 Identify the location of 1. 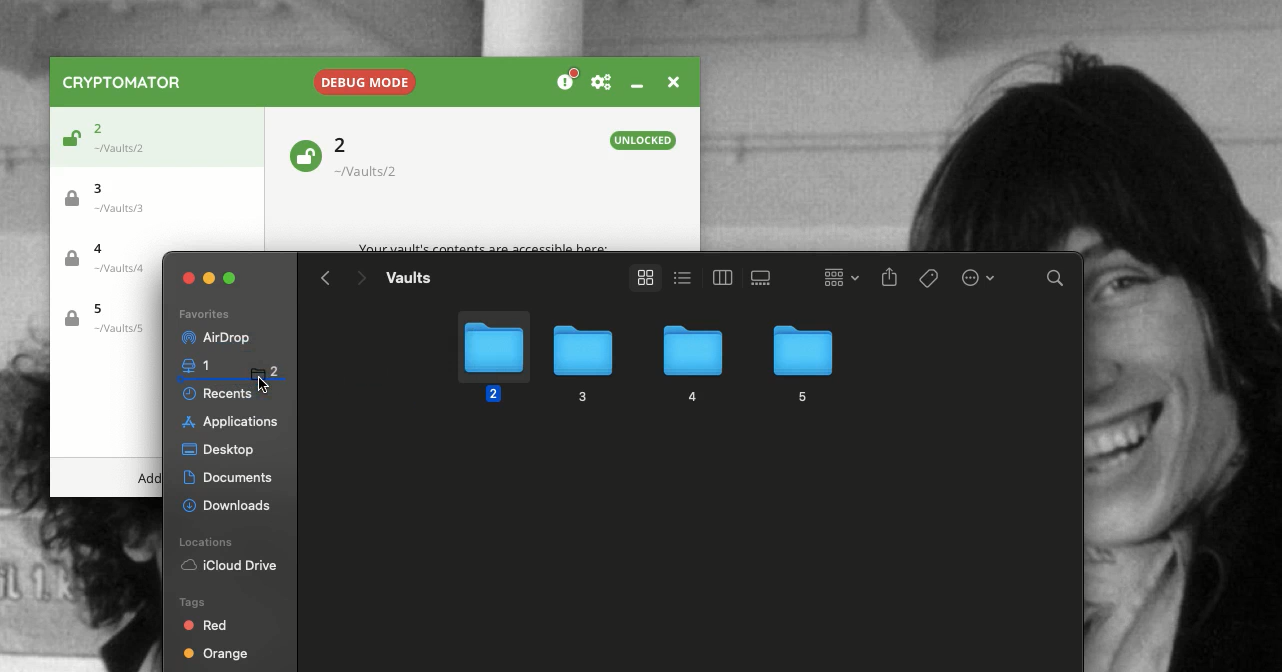
(188, 363).